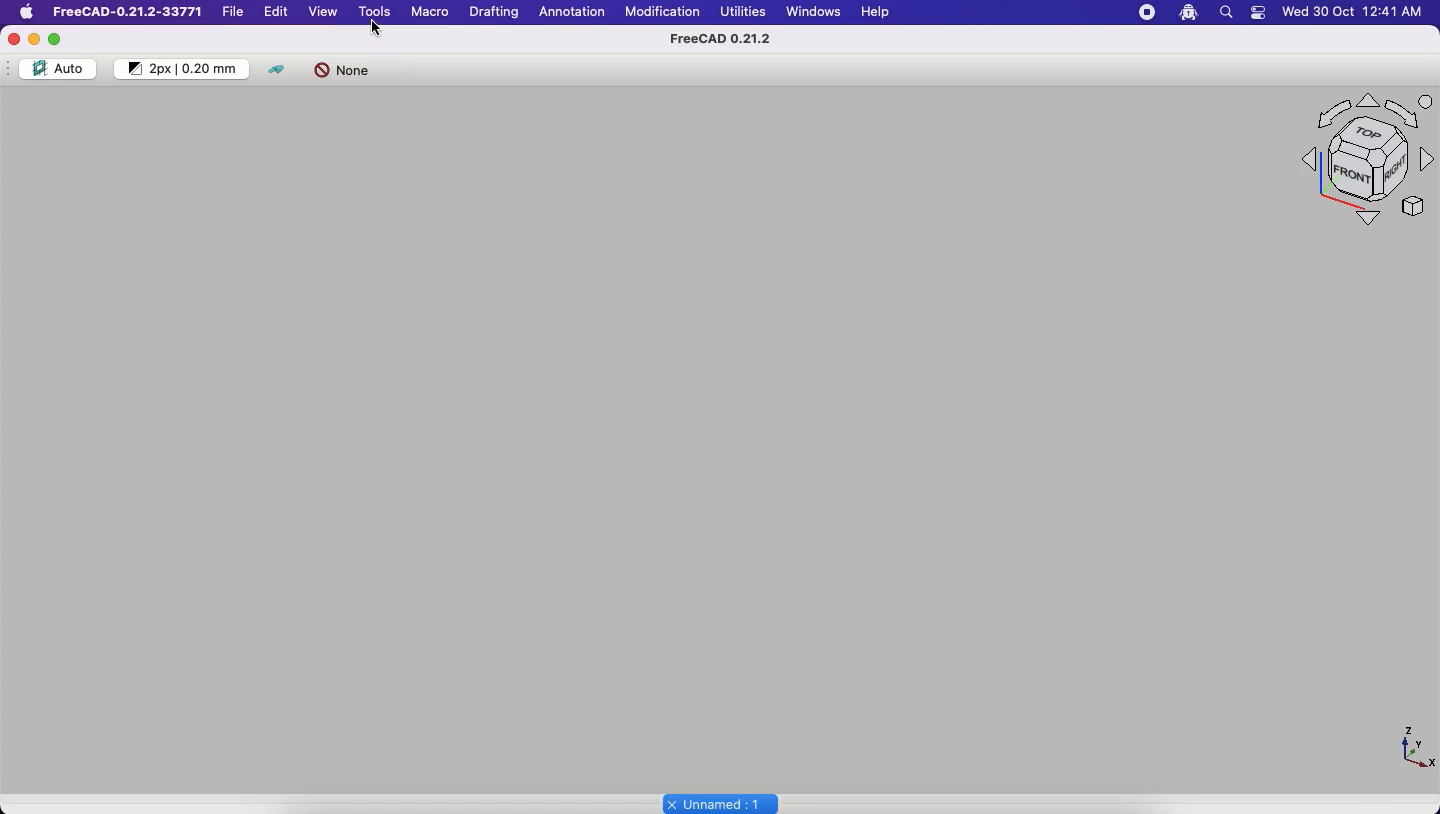  I want to click on Cursor, so click(376, 28).